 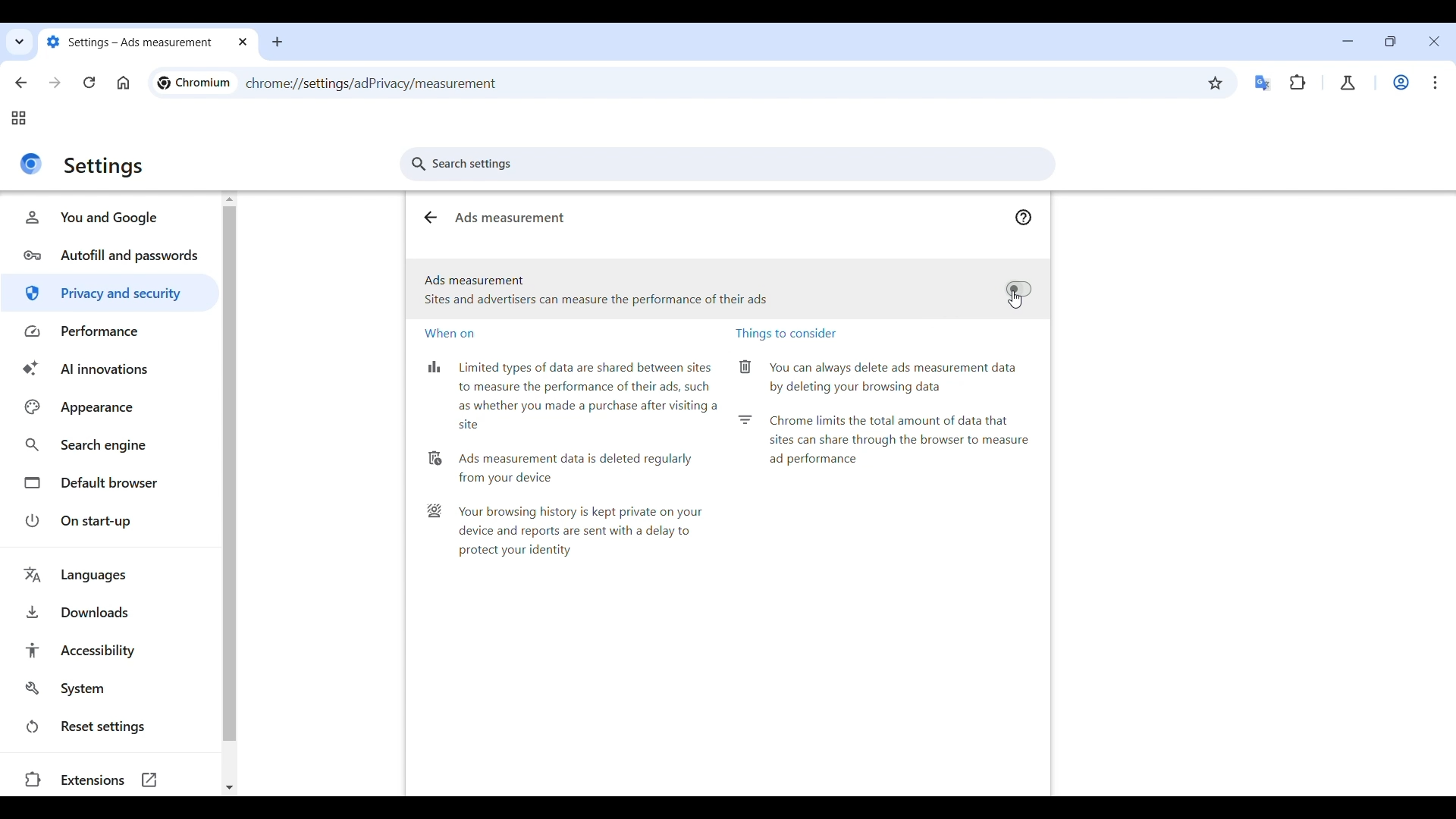 I want to click on Tab name changed, so click(x=147, y=43).